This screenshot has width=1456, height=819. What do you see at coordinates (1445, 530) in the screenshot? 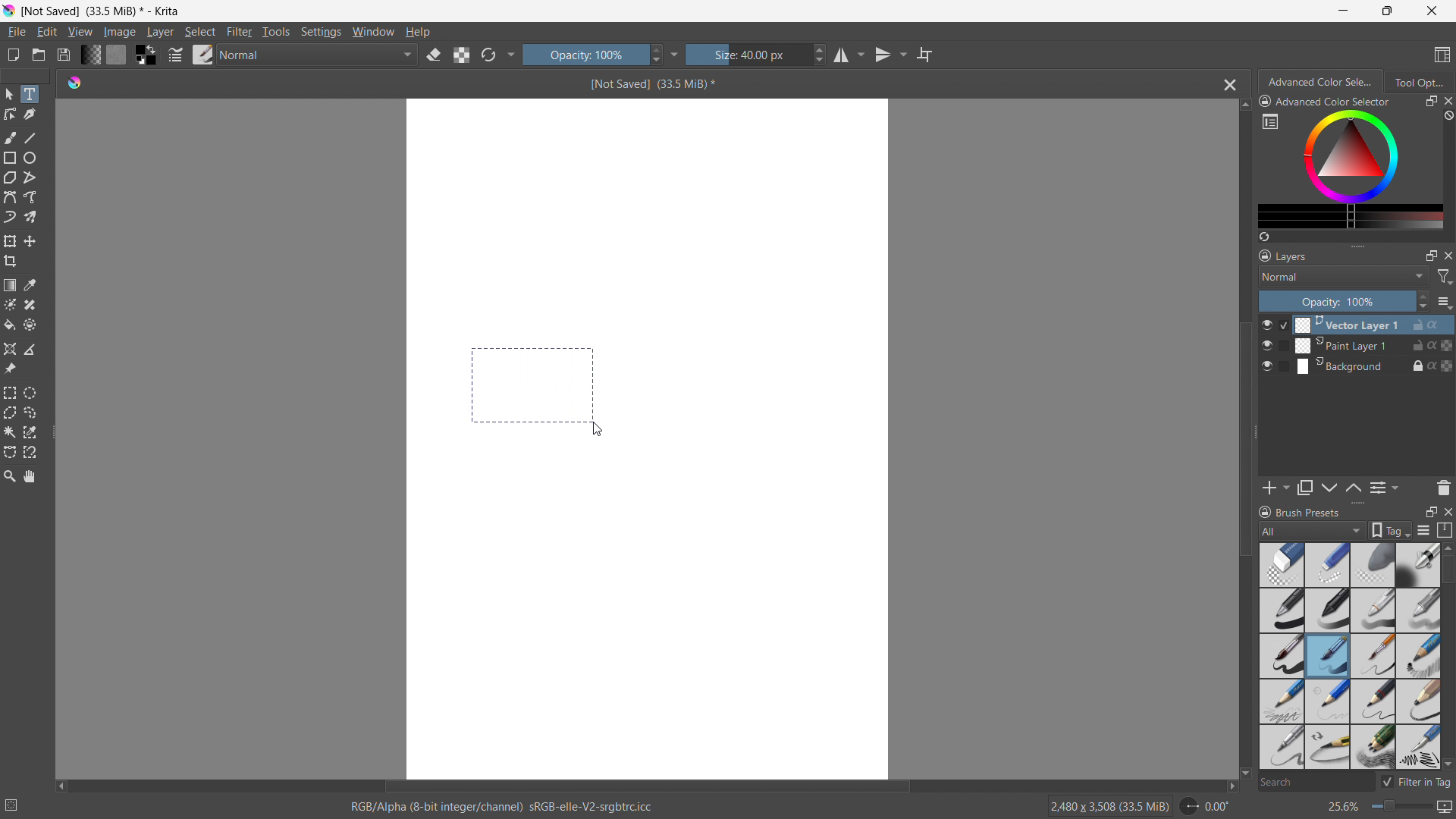
I see `storage resource` at bounding box center [1445, 530].